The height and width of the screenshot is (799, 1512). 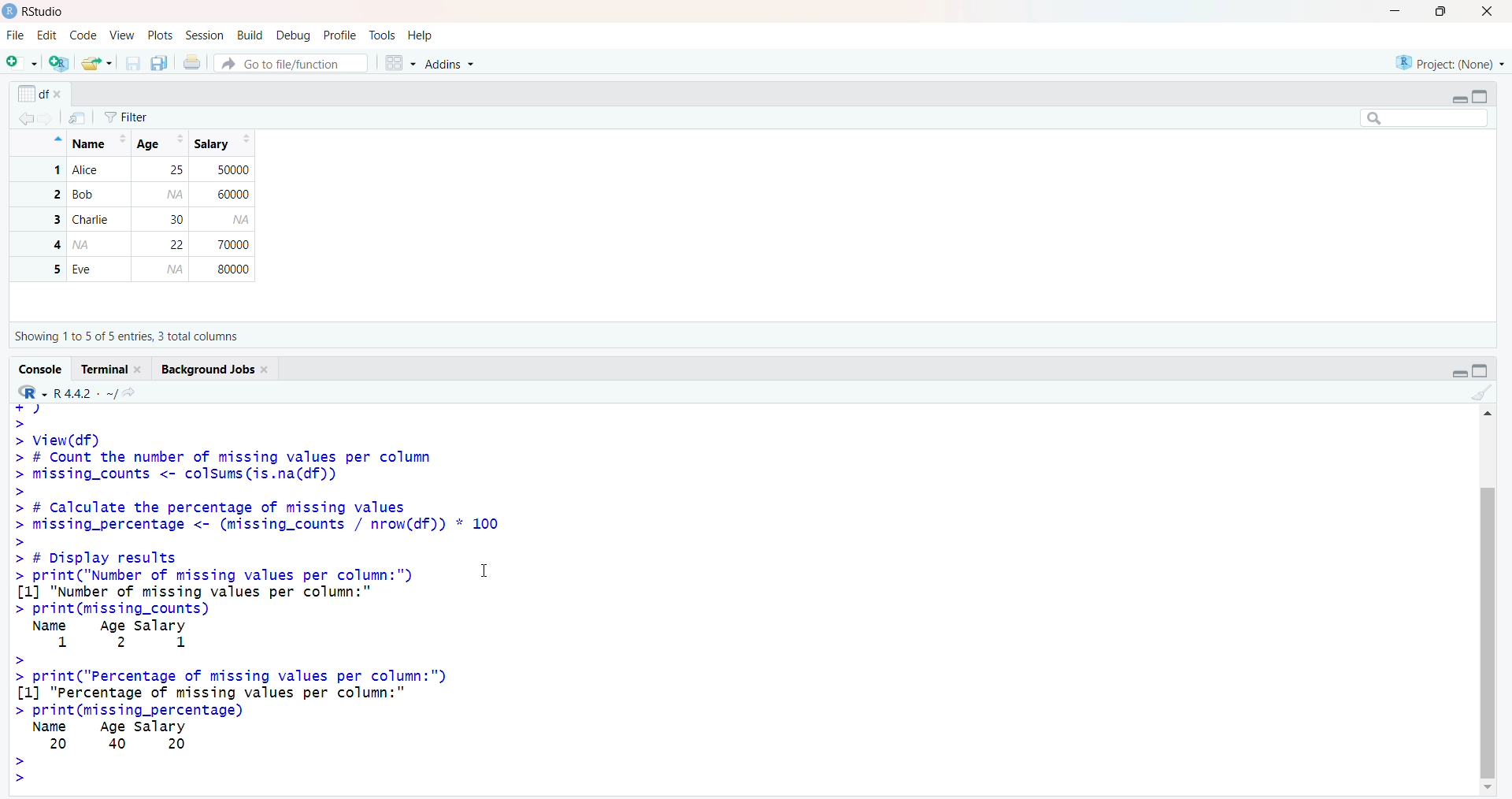 What do you see at coordinates (1444, 12) in the screenshot?
I see `Maximize` at bounding box center [1444, 12].